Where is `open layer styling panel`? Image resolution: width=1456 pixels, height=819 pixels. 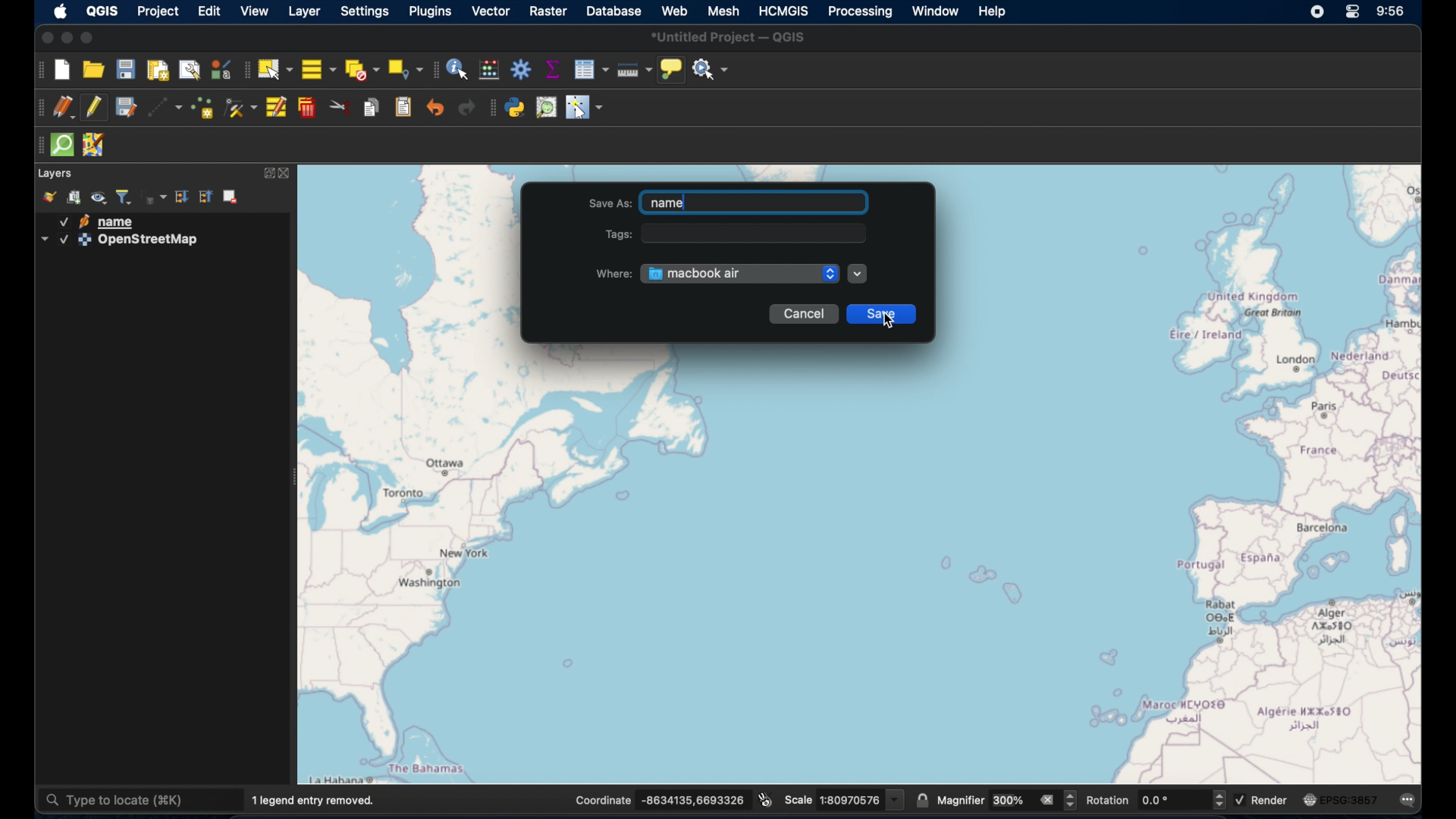
open layer styling panel is located at coordinates (49, 197).